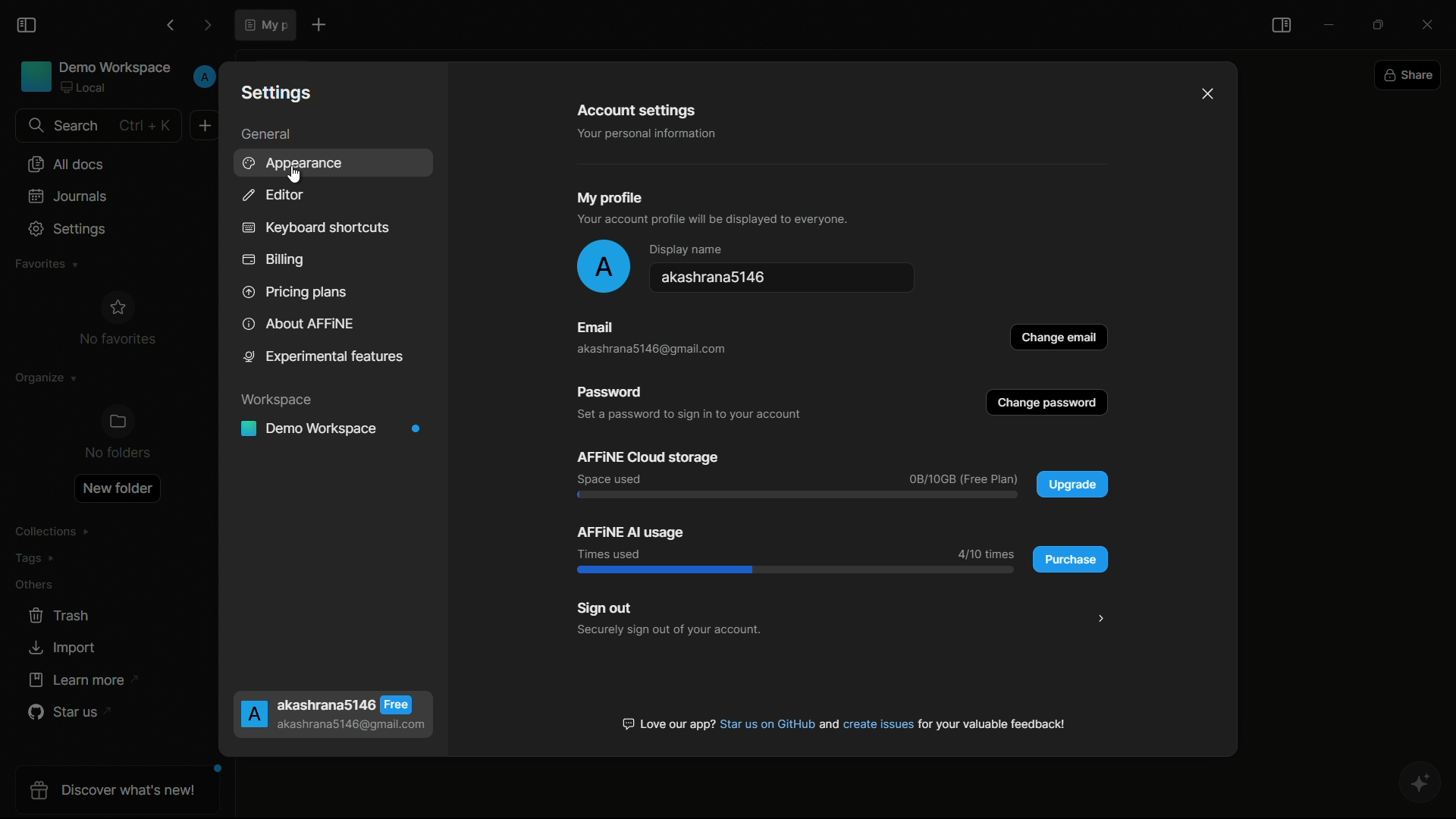 The width and height of the screenshot is (1456, 819). I want to click on Cursor, so click(293, 172).